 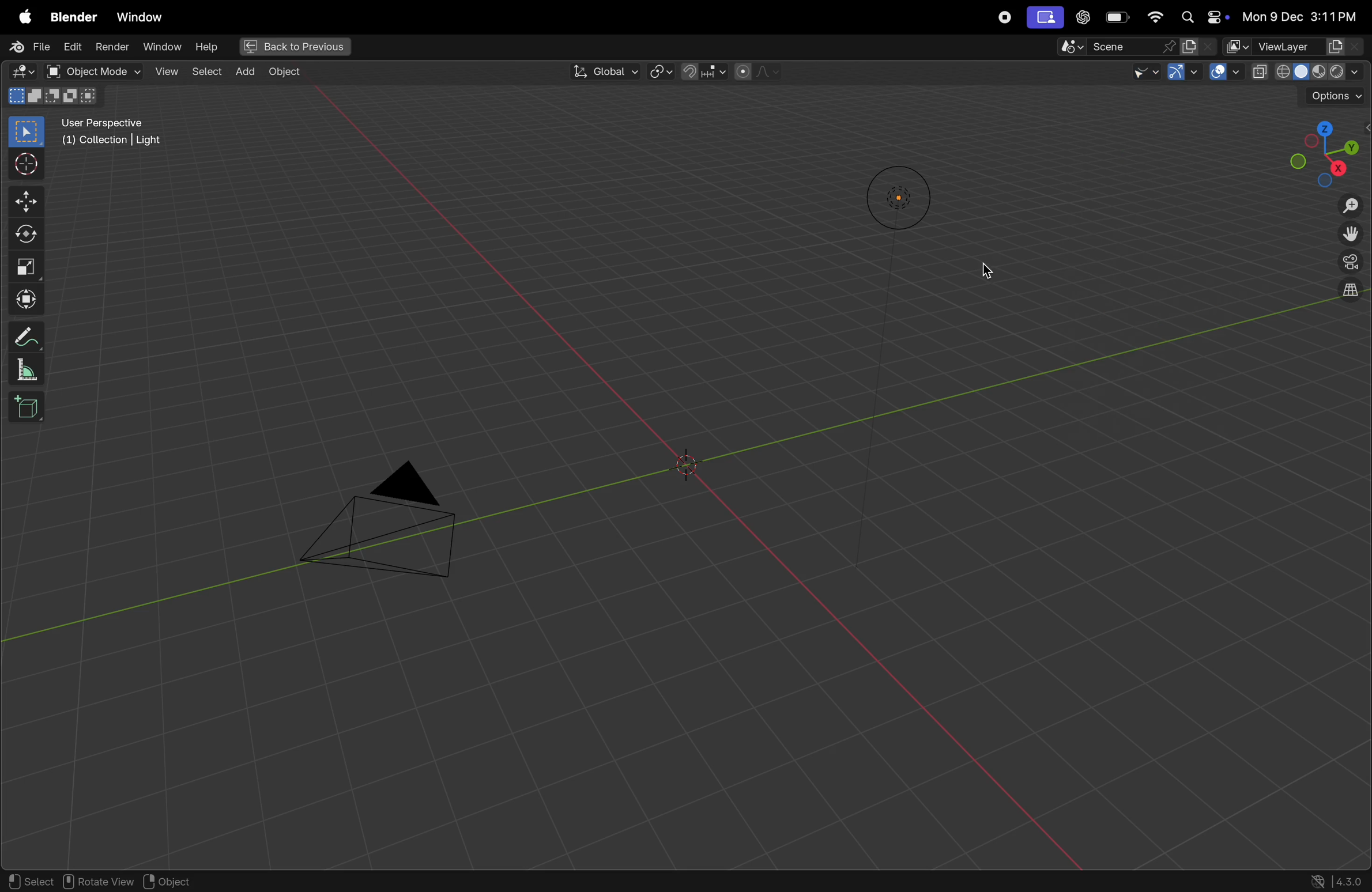 What do you see at coordinates (166, 73) in the screenshot?
I see `view` at bounding box center [166, 73].